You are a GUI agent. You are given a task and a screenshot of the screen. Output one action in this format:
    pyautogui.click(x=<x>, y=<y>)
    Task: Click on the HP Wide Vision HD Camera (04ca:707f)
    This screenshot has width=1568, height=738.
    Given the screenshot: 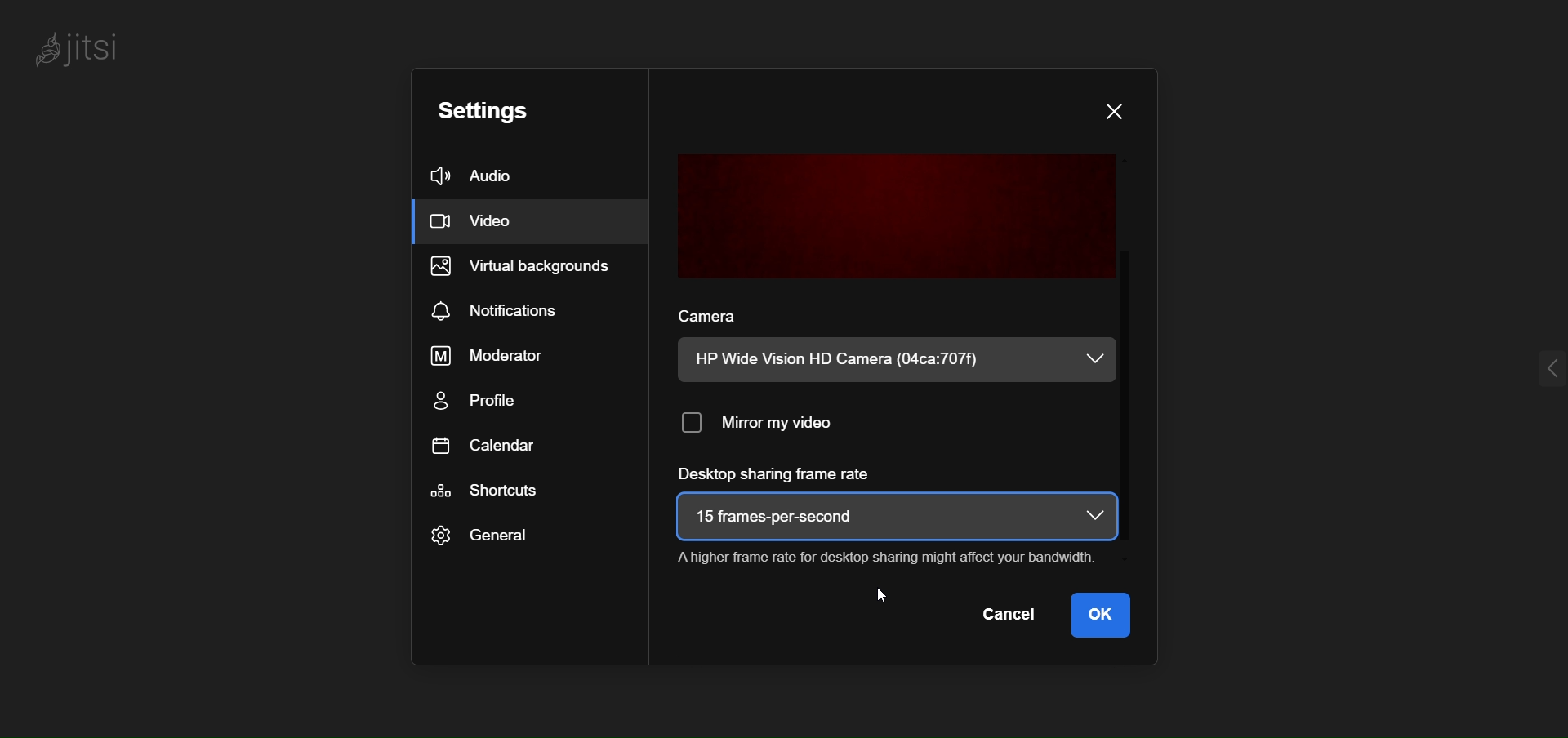 What is the action you would take?
    pyautogui.click(x=849, y=359)
    